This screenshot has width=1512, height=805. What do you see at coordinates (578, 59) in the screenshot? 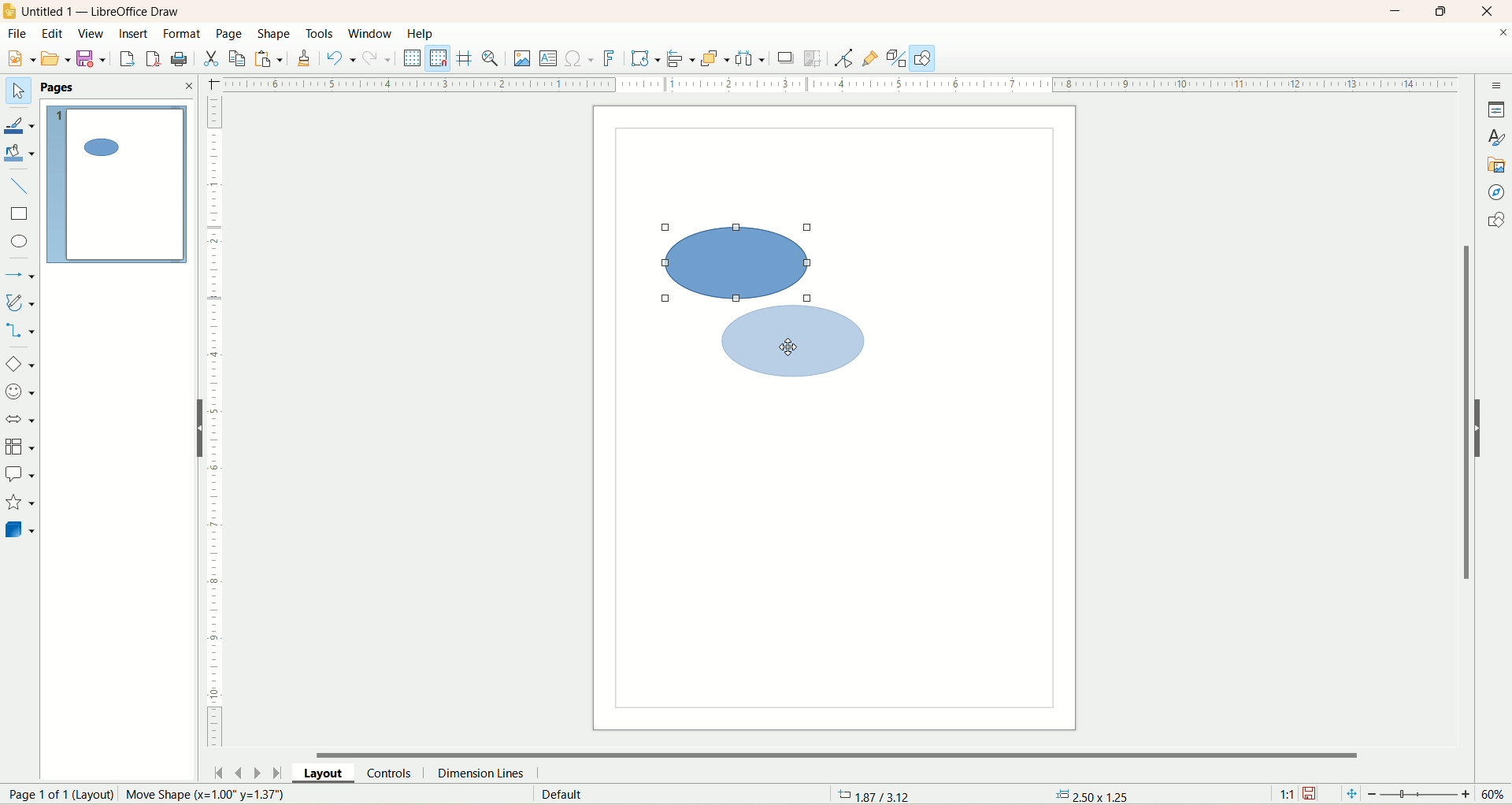
I see `special character` at bounding box center [578, 59].